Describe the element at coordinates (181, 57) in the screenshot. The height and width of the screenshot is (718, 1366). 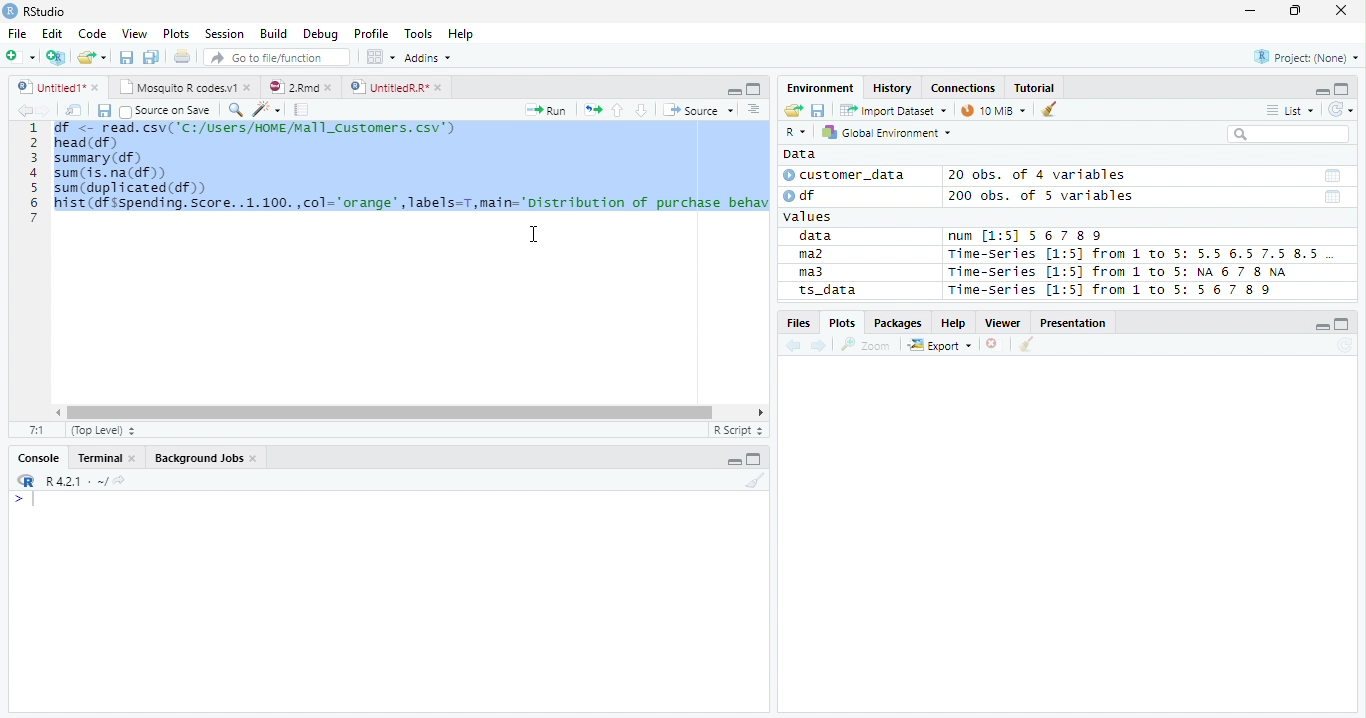
I see `Print` at that location.